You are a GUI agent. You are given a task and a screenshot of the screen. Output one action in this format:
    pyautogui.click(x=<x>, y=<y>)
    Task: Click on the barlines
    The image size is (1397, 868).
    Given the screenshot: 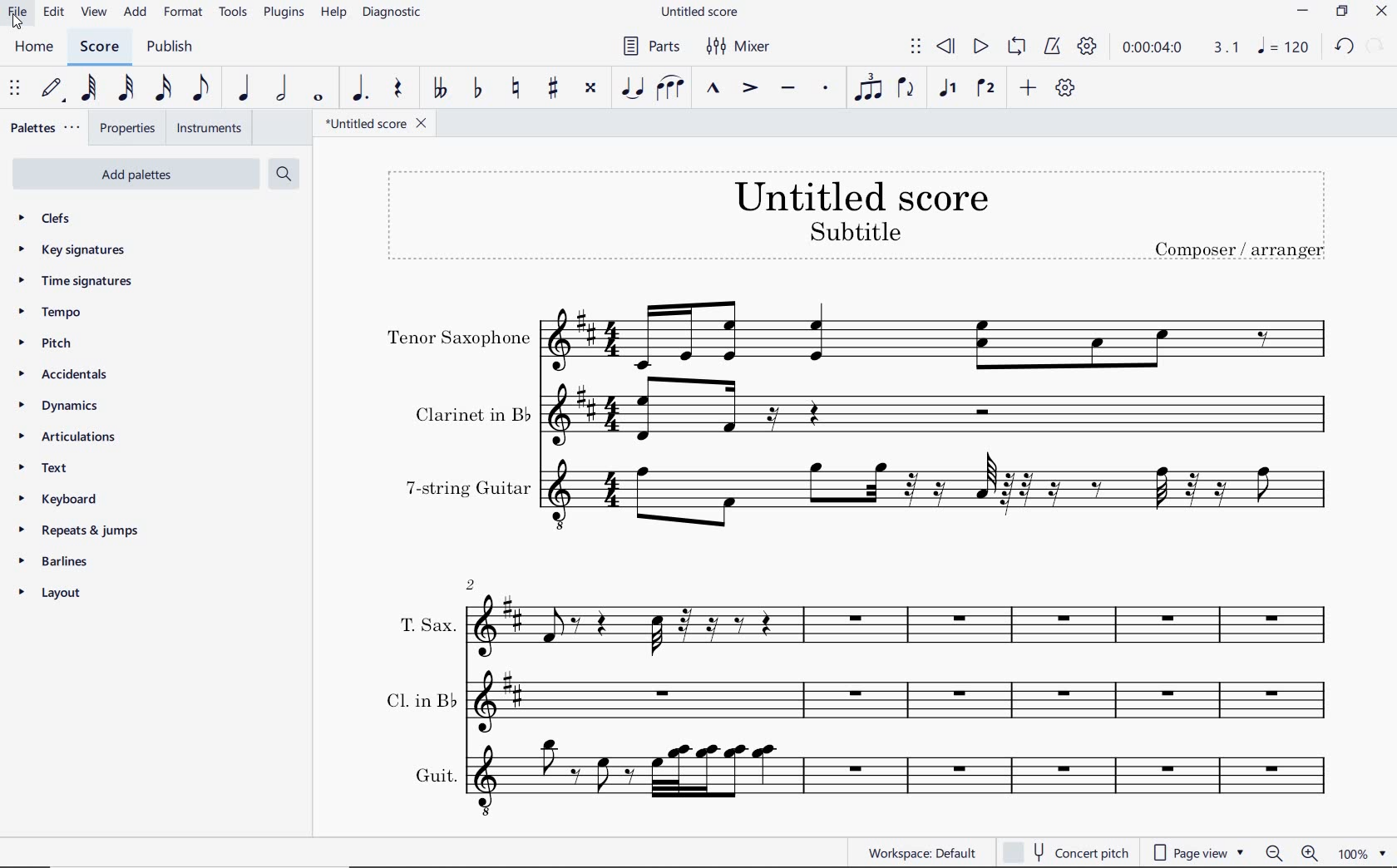 What is the action you would take?
    pyautogui.click(x=61, y=560)
    